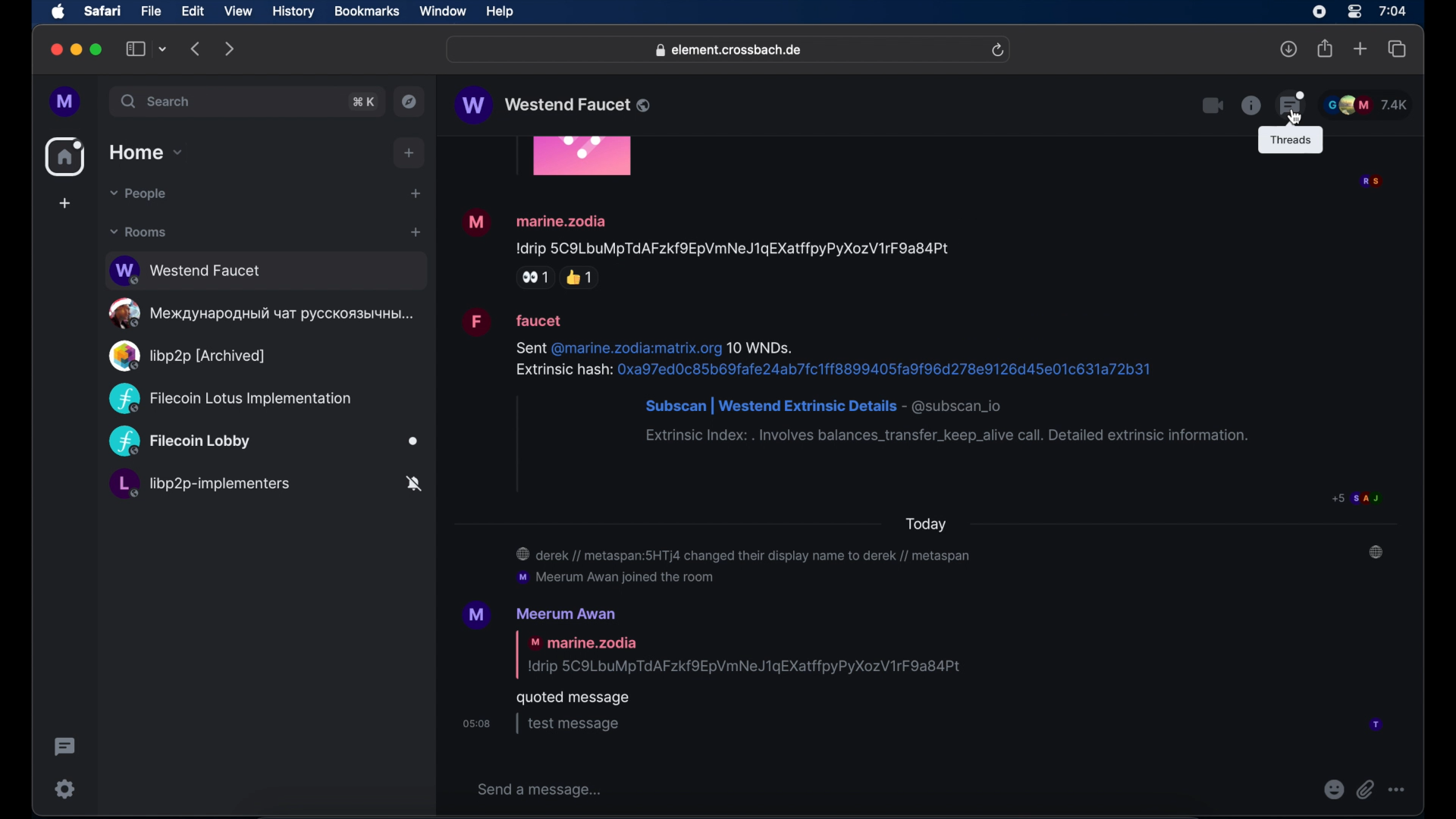 This screenshot has width=1456, height=819. Describe the element at coordinates (365, 11) in the screenshot. I see `bookmarks` at that location.